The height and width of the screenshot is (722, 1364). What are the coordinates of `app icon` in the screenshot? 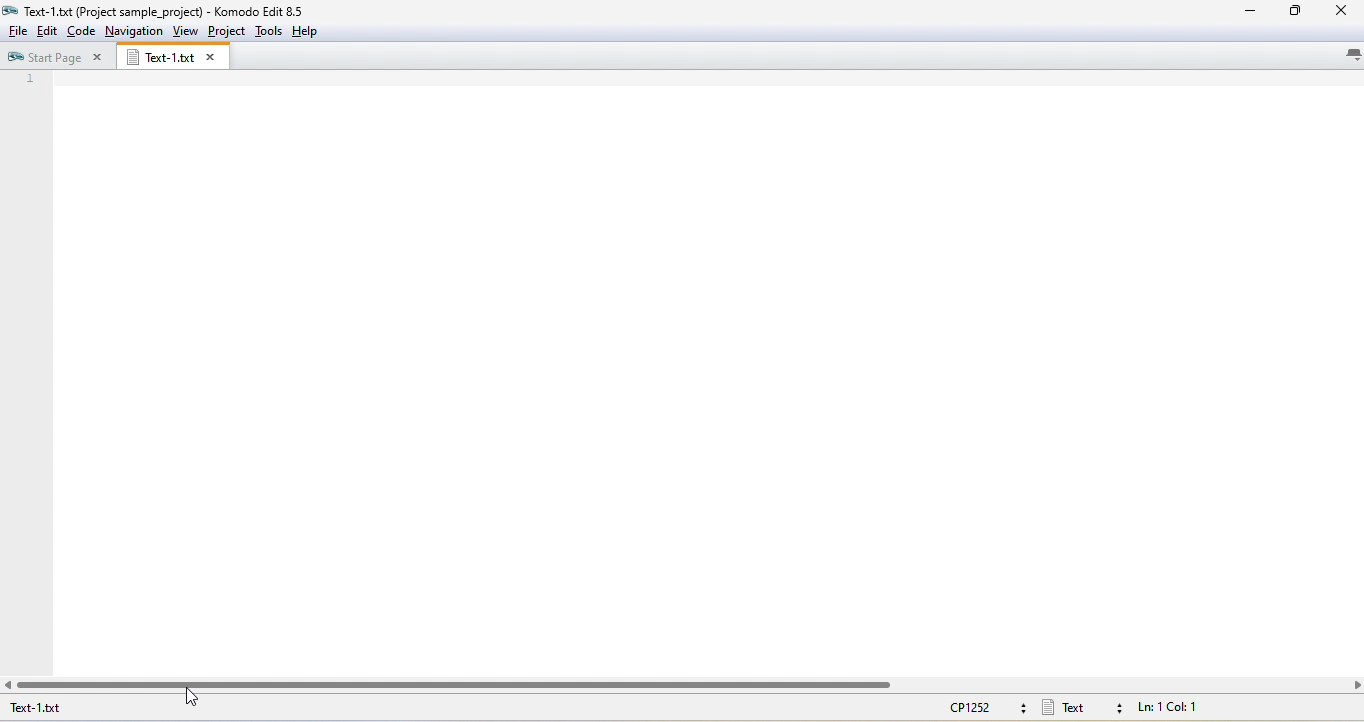 It's located at (10, 10).